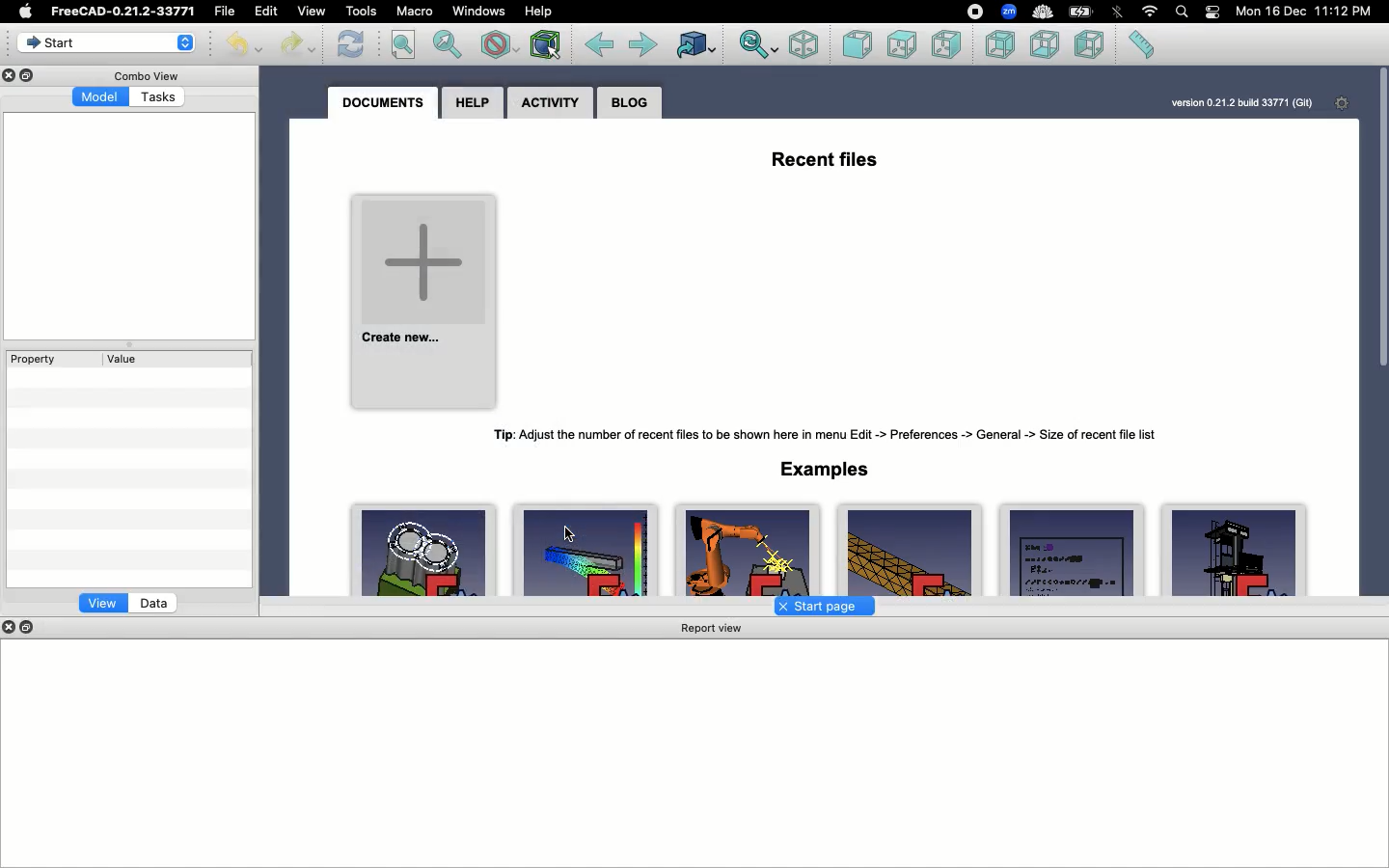 The height and width of the screenshot is (868, 1389). Describe the element at coordinates (1213, 15) in the screenshot. I see `Notification ` at that location.